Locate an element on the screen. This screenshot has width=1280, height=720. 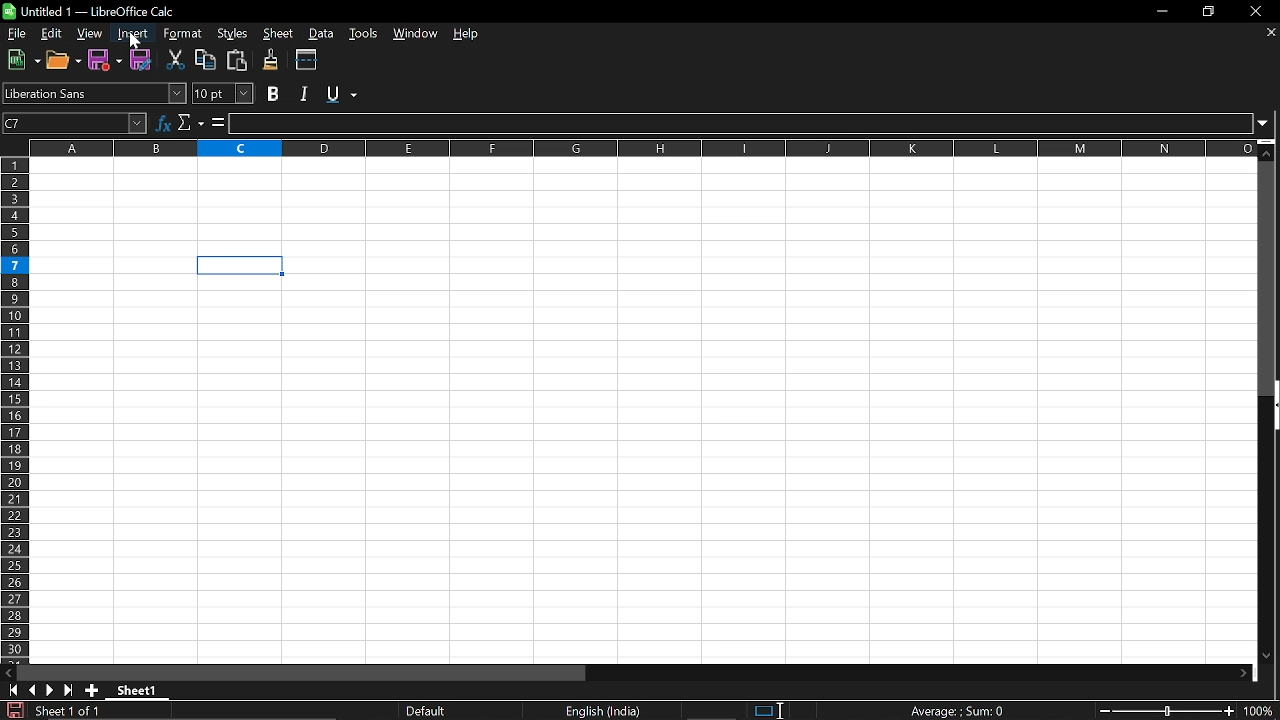
Font size is located at coordinates (226, 94).